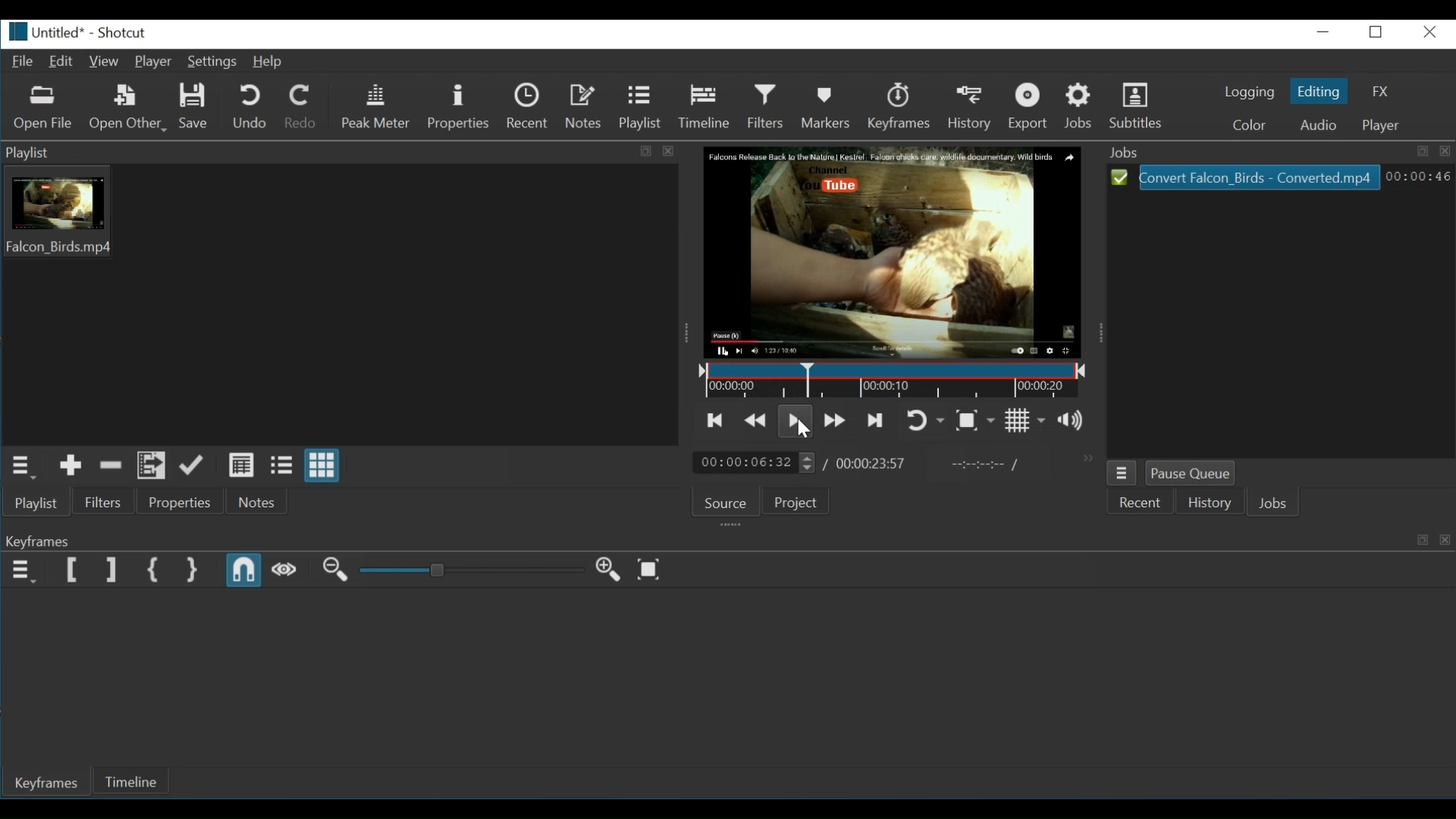 The width and height of the screenshot is (1456, 819). What do you see at coordinates (716, 420) in the screenshot?
I see `Skip to the previous point` at bounding box center [716, 420].